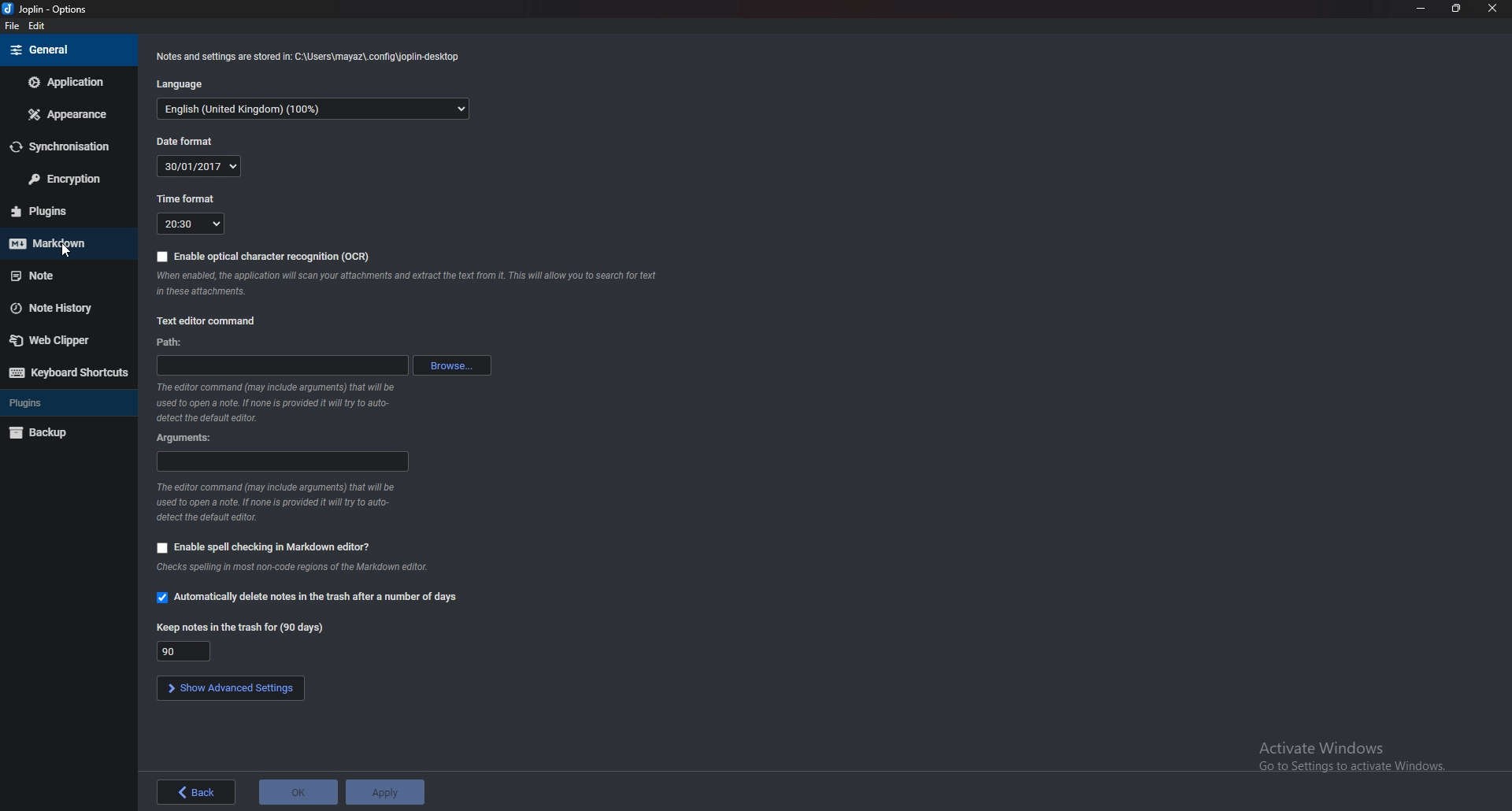 The image size is (1512, 811). What do you see at coordinates (189, 198) in the screenshot?
I see `time format` at bounding box center [189, 198].